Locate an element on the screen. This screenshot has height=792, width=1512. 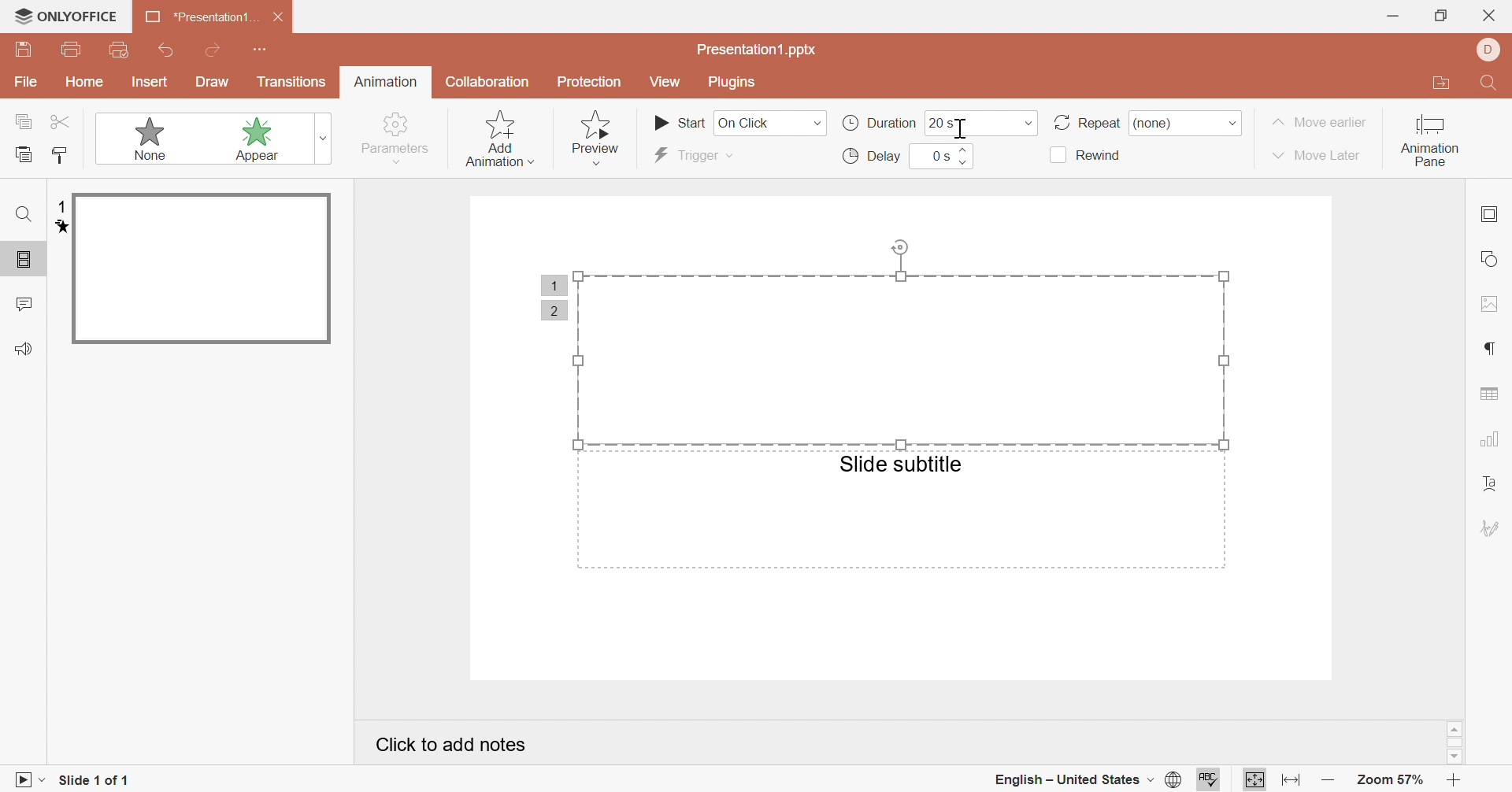
File is located at coordinates (27, 82).